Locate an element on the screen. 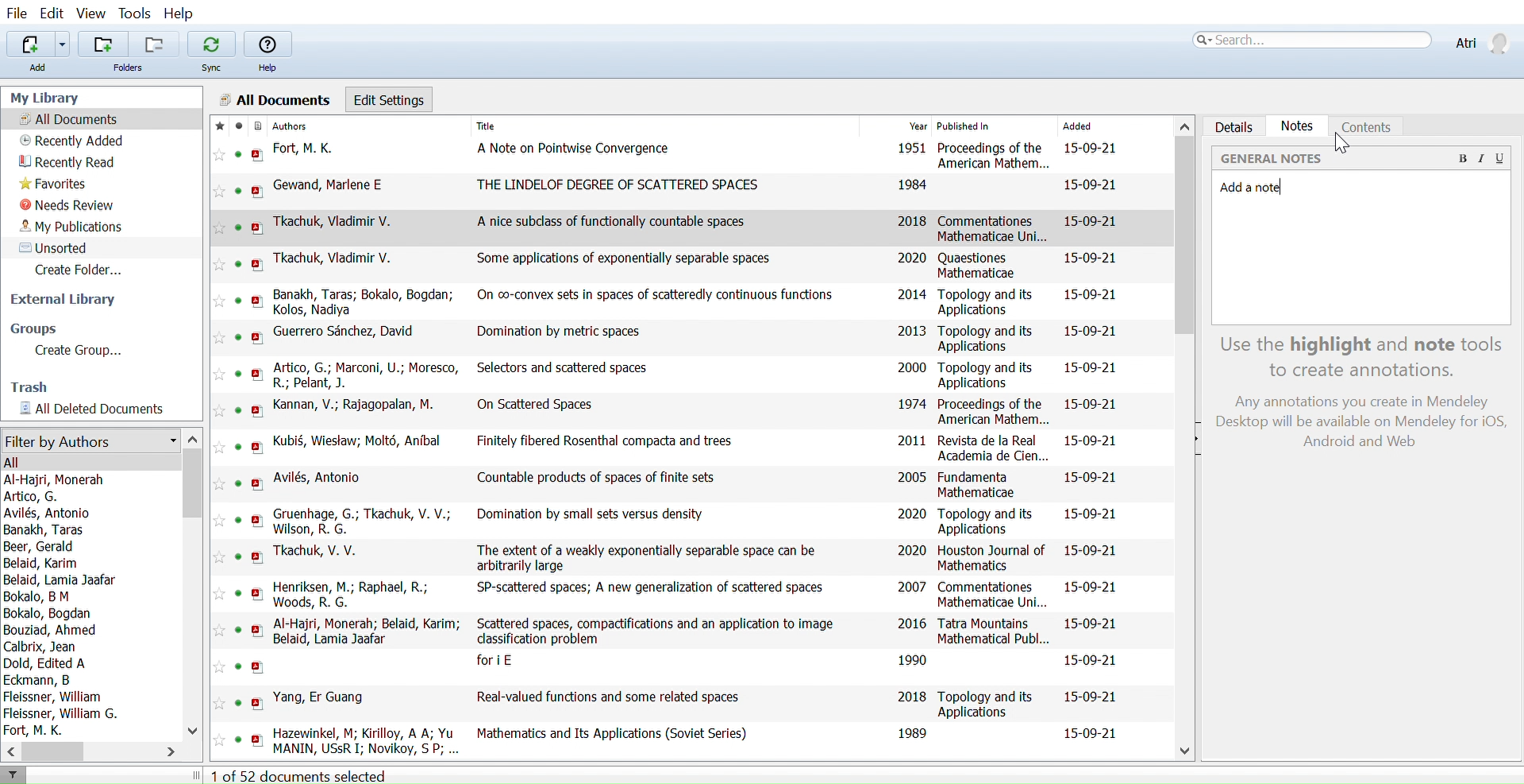 Image resolution: width=1524 pixels, height=784 pixels. Groups is located at coordinates (33, 329).